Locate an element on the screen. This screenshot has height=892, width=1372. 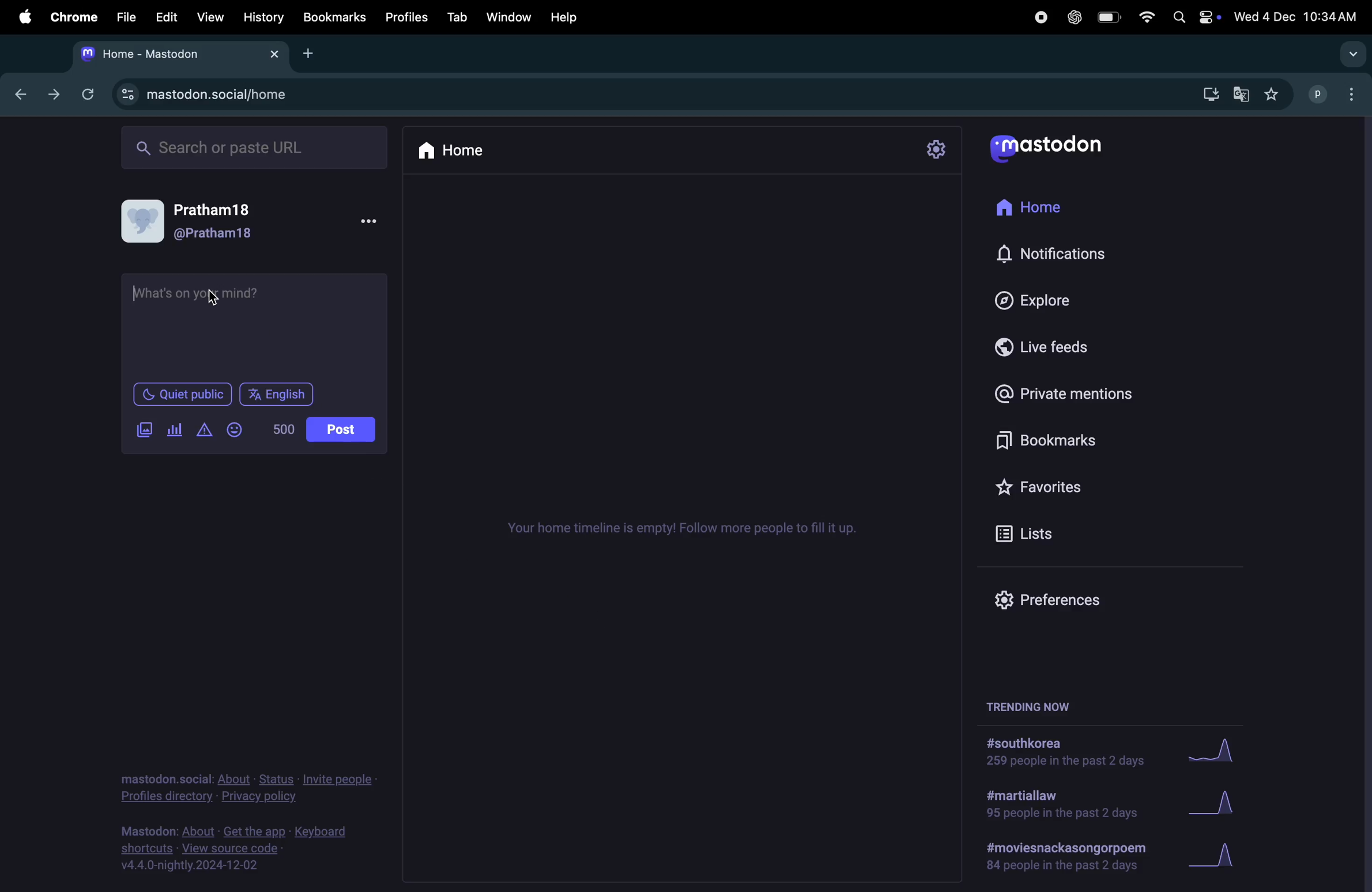
apple widgets is located at coordinates (1194, 18).